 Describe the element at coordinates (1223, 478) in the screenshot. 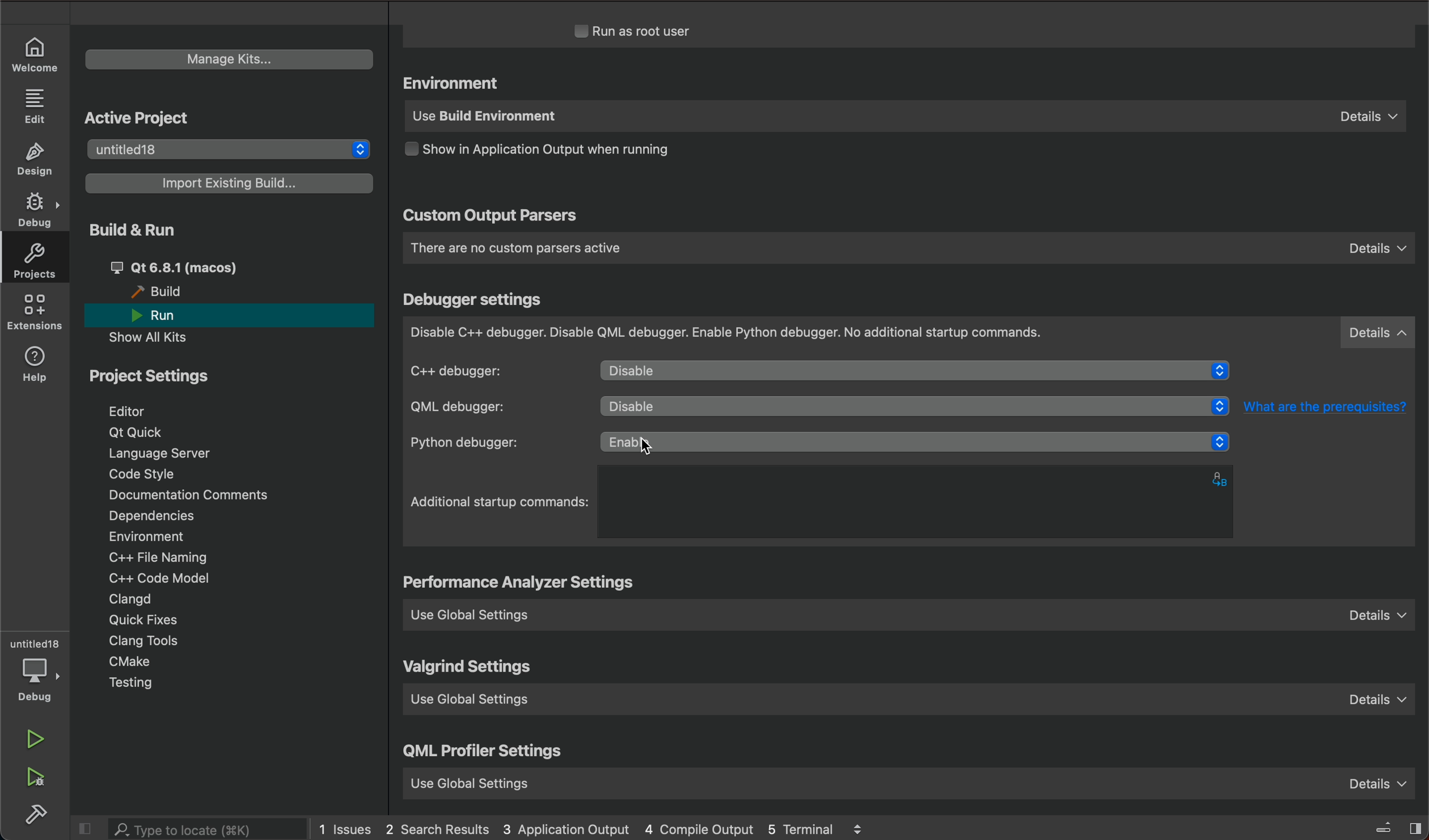

I see `alphabets` at that location.